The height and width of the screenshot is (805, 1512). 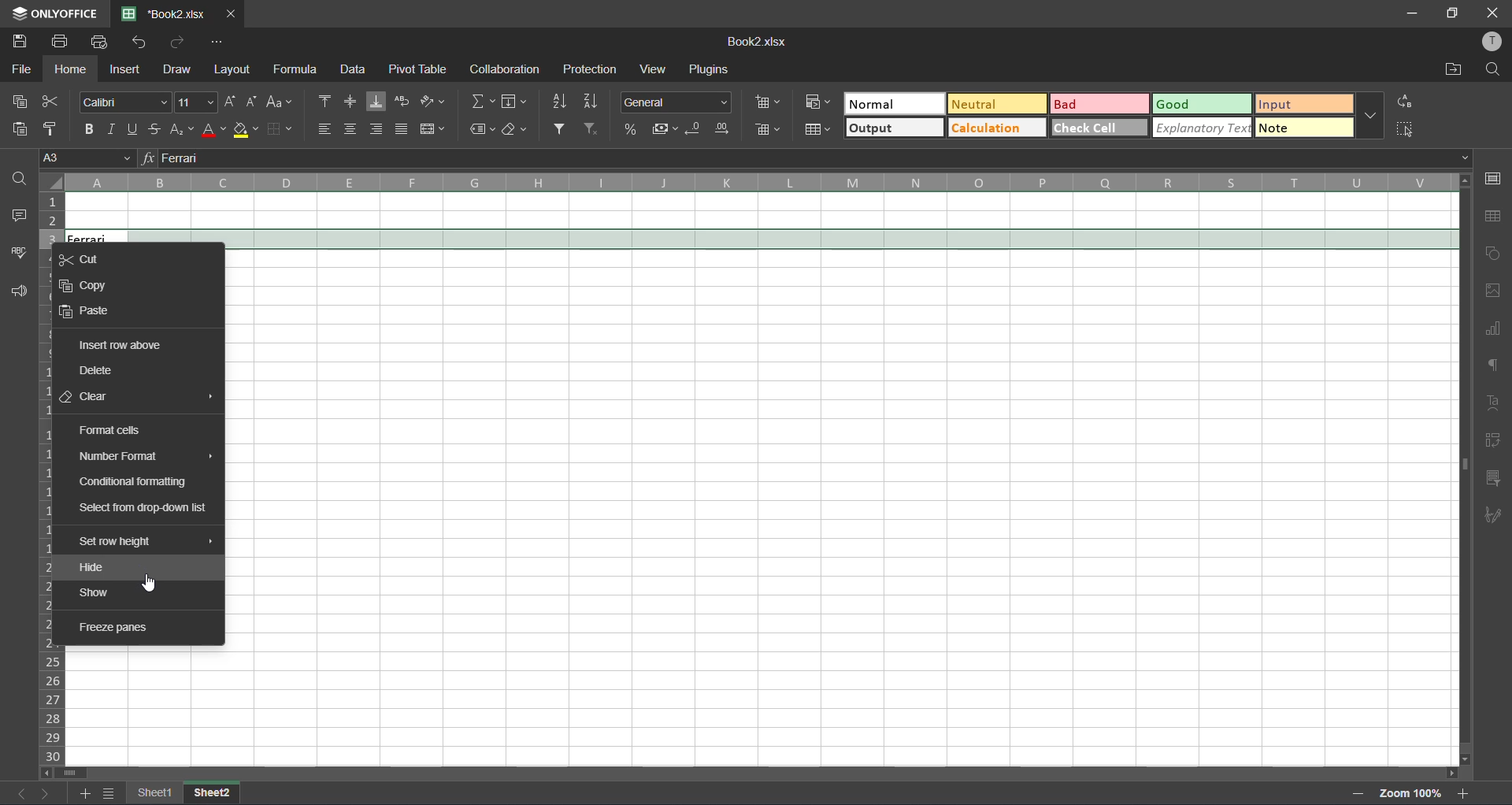 I want to click on clear filter, so click(x=593, y=128).